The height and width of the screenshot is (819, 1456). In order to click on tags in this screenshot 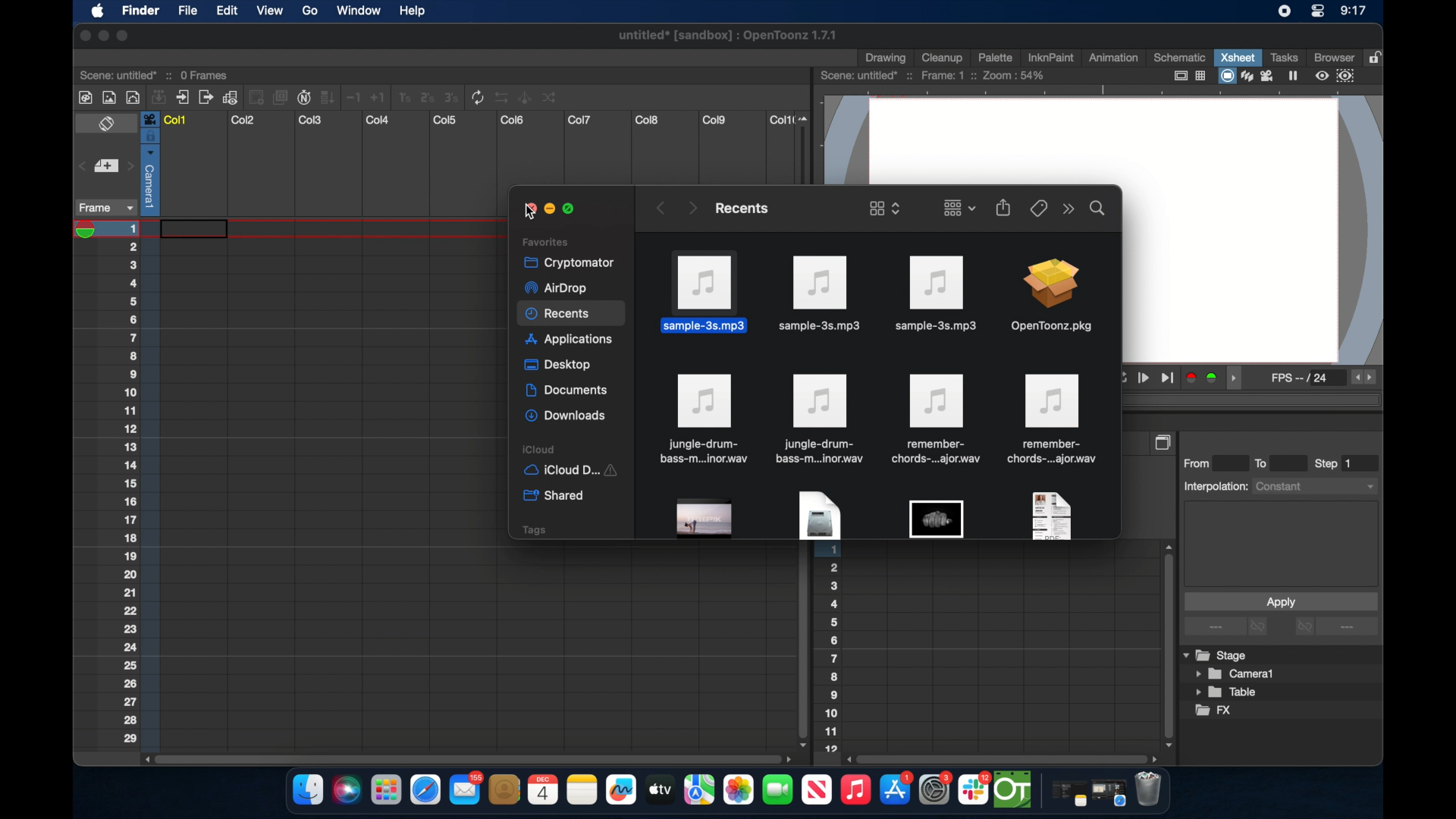, I will do `click(1037, 207)`.